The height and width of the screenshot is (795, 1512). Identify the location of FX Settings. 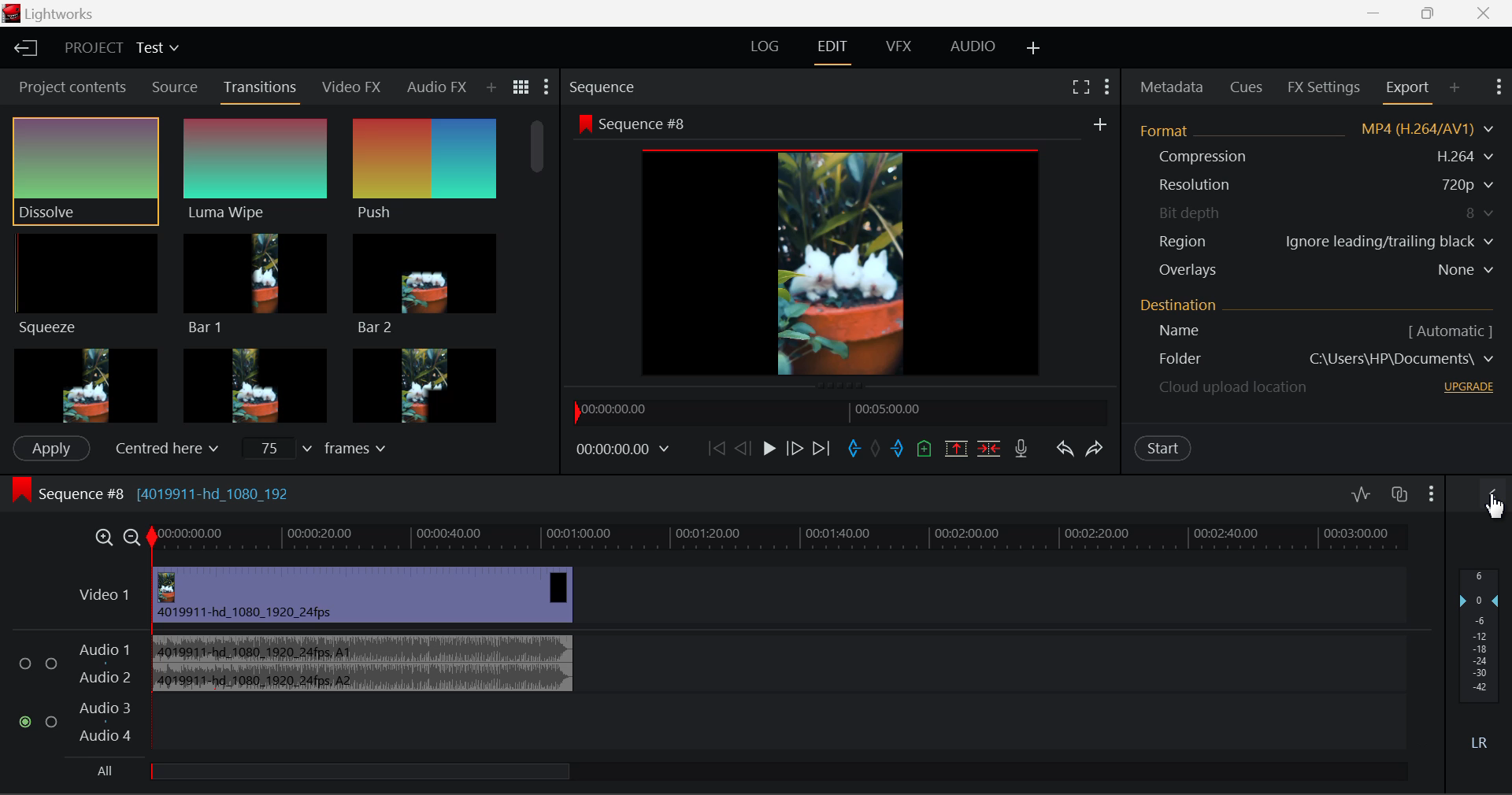
(1322, 87).